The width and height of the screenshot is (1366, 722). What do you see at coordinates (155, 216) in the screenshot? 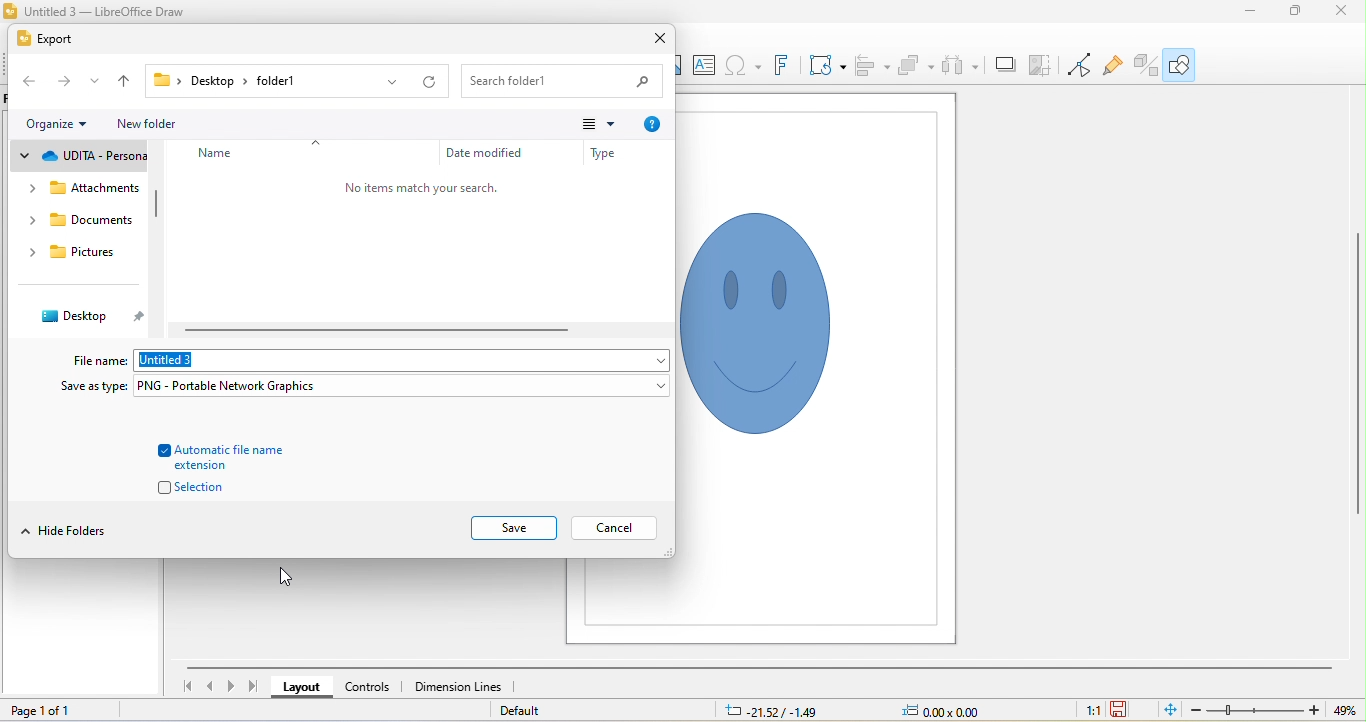
I see `vertical scroll bar` at bounding box center [155, 216].